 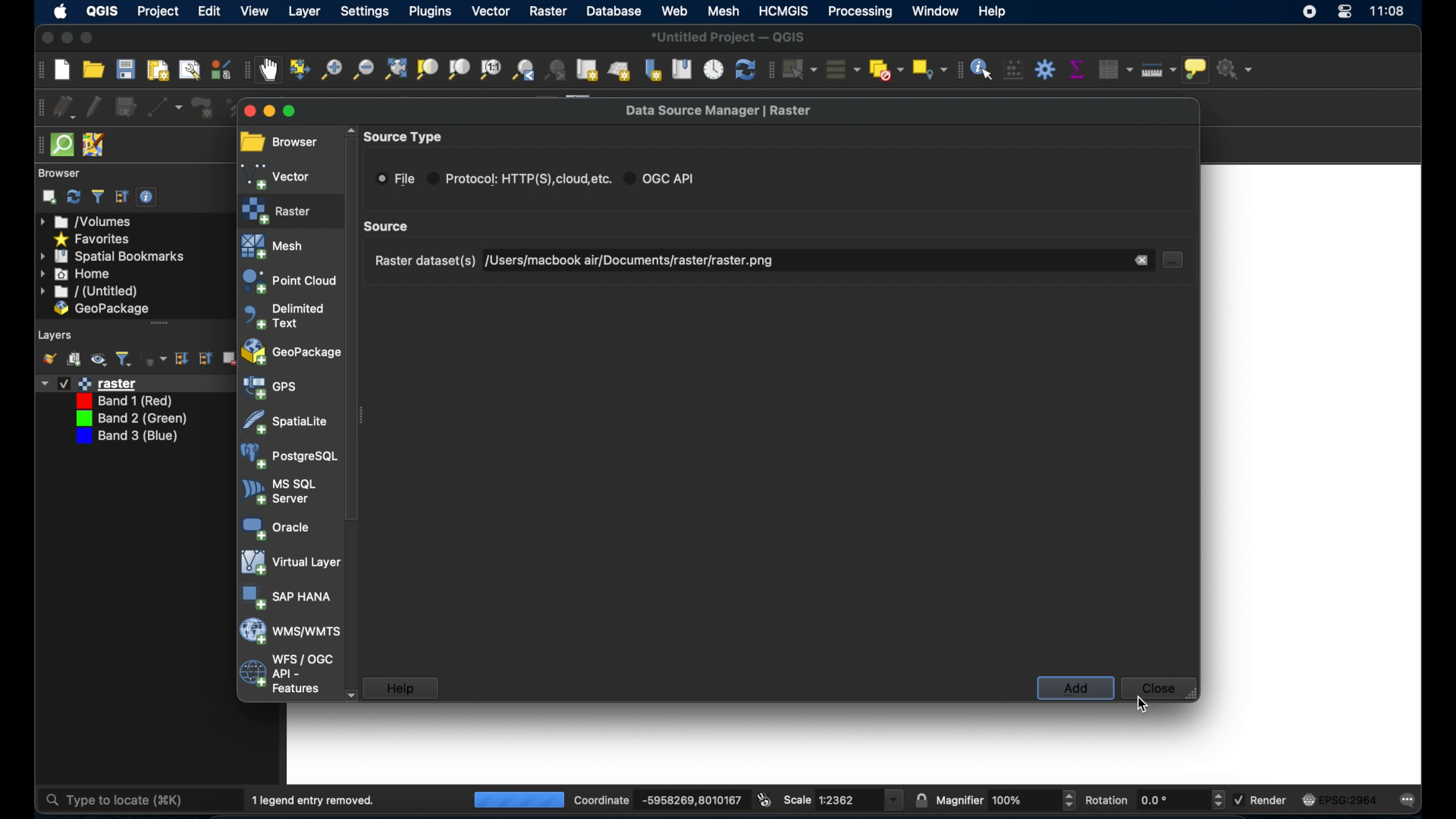 What do you see at coordinates (93, 144) in the screenshot?
I see `josh remote` at bounding box center [93, 144].